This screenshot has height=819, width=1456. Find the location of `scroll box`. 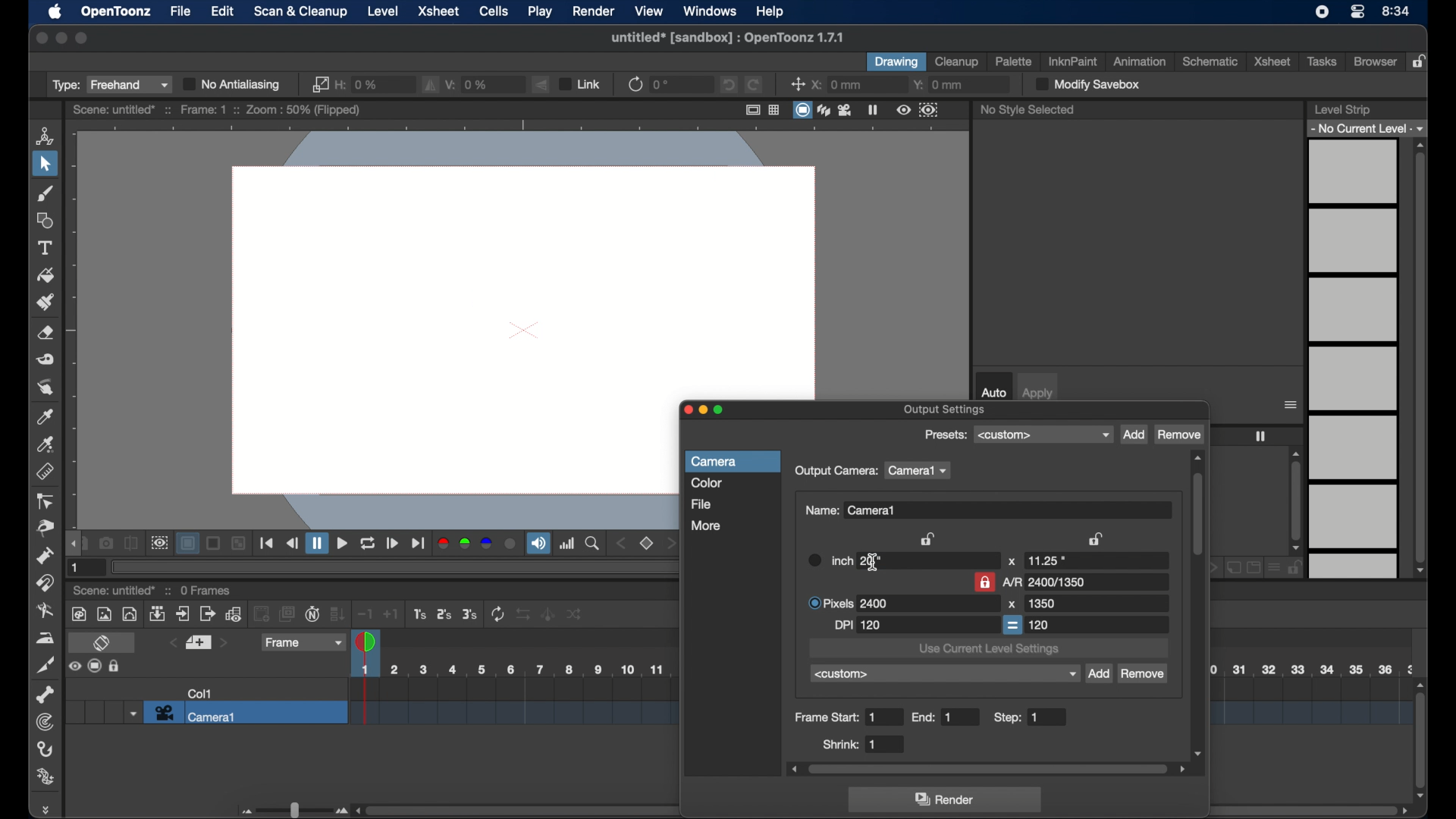

scroll box is located at coordinates (1421, 739).